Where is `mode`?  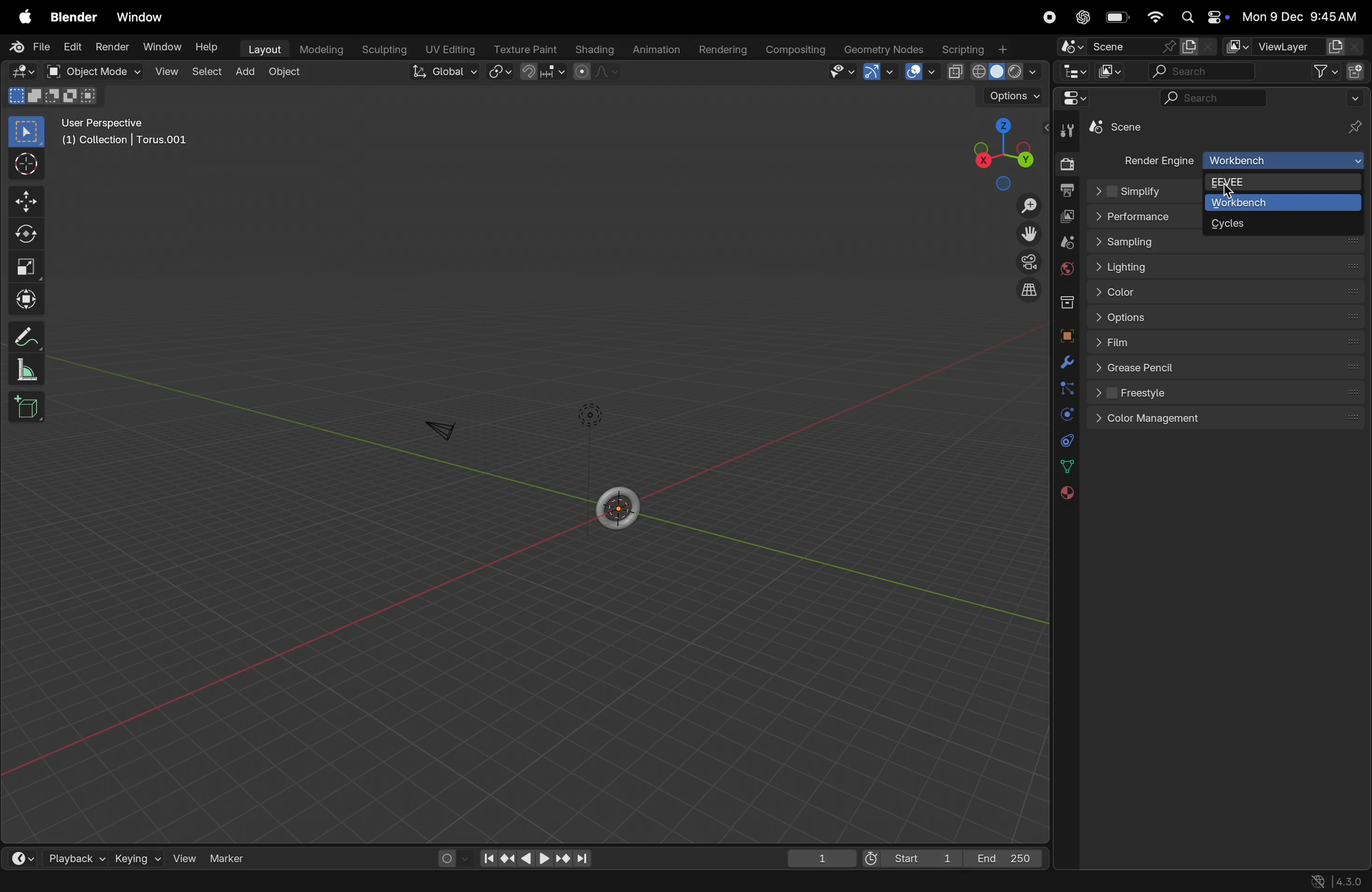
mode is located at coordinates (52, 97).